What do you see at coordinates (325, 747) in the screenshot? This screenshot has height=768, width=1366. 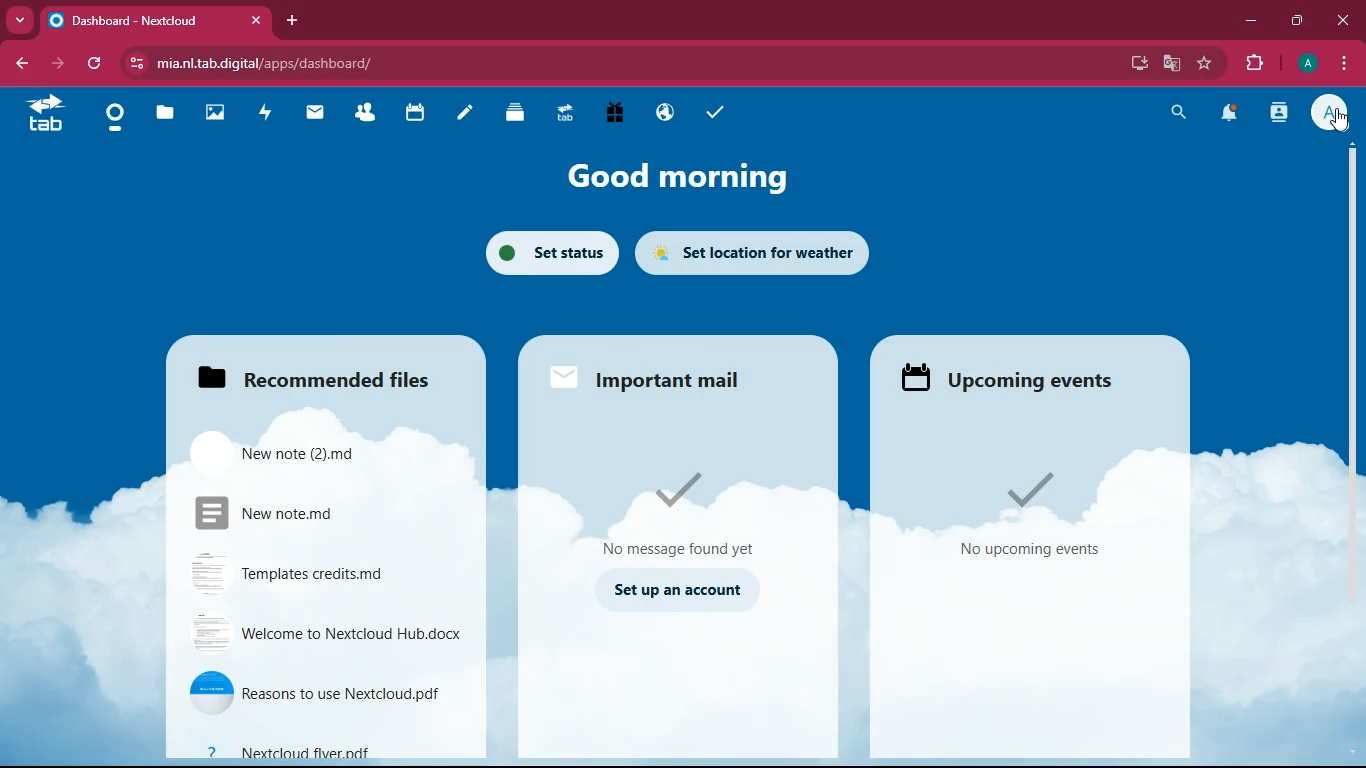 I see `file` at bounding box center [325, 747].